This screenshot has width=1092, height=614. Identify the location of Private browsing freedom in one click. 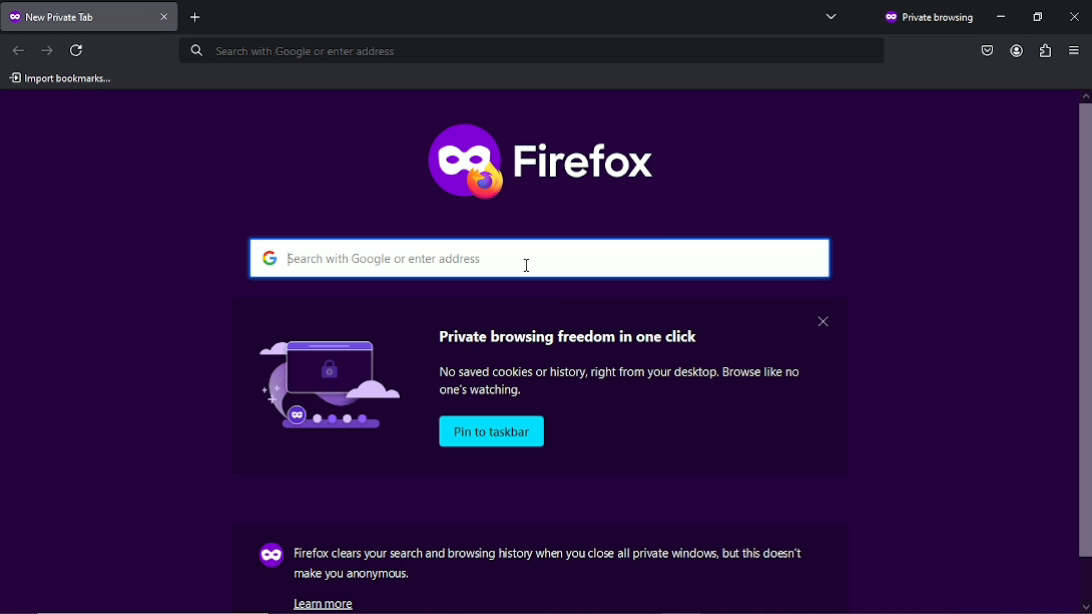
(572, 333).